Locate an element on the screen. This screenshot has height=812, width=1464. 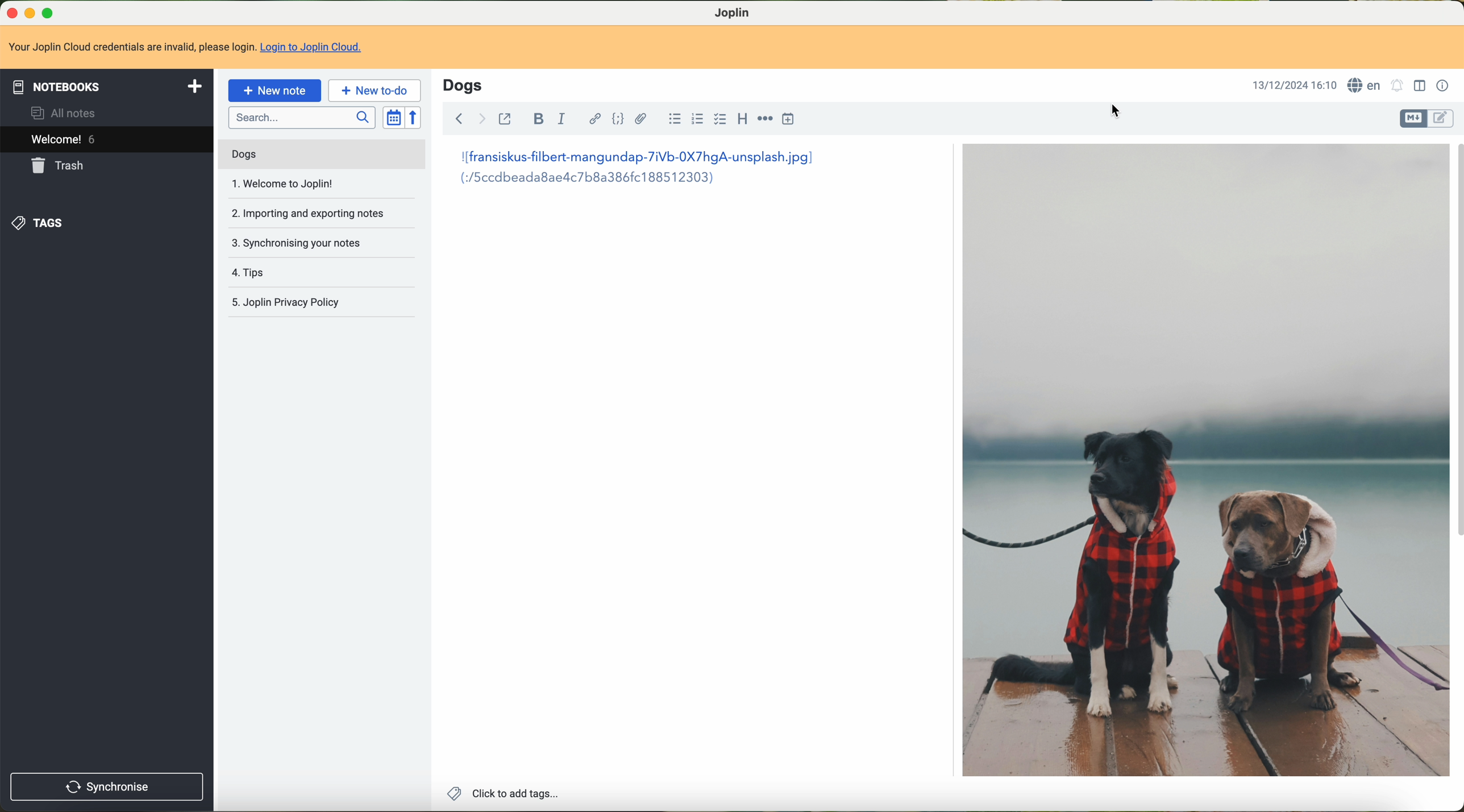
toggle external editing is located at coordinates (506, 118).